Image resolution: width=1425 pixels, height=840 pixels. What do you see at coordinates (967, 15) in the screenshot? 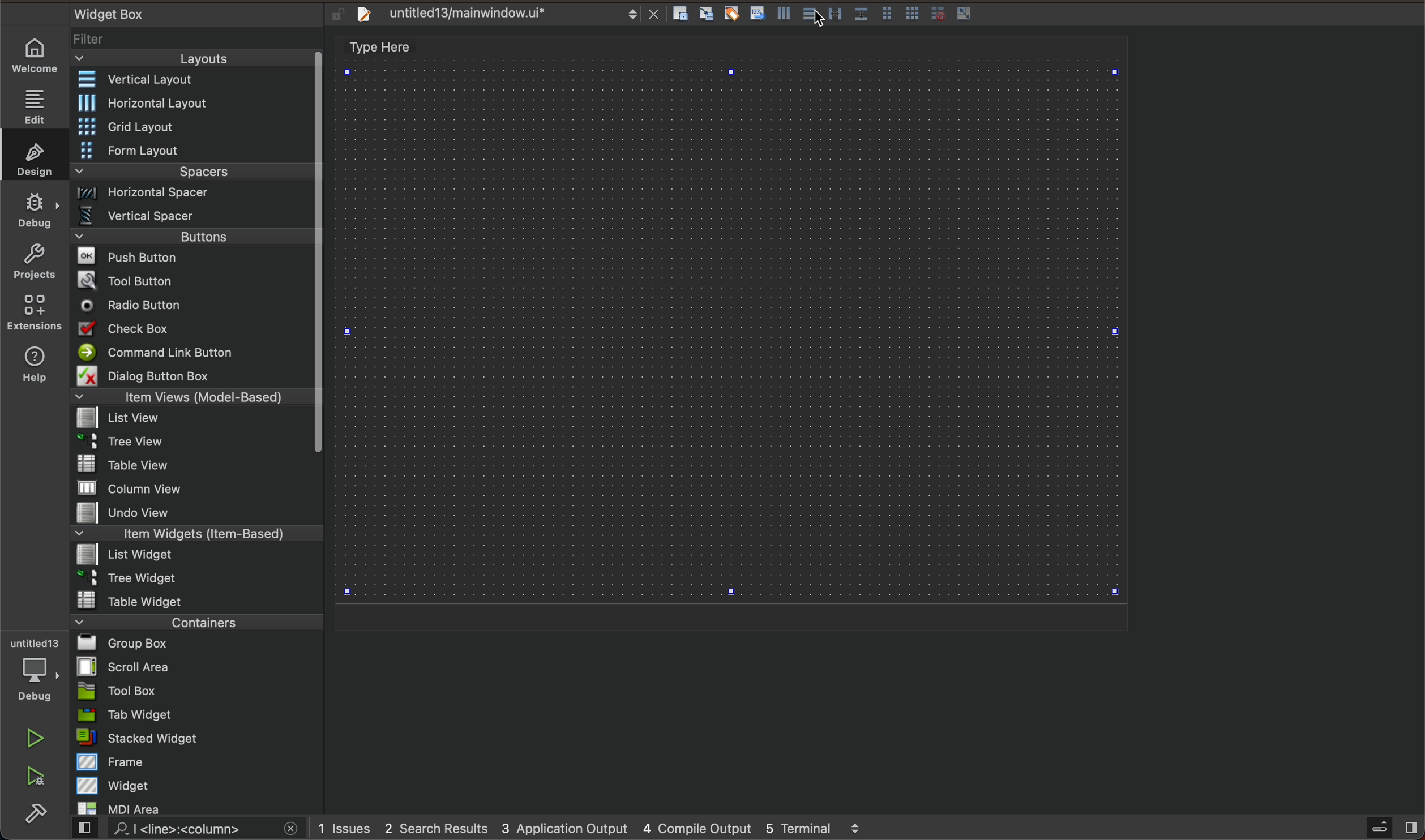
I see `` at bounding box center [967, 15].